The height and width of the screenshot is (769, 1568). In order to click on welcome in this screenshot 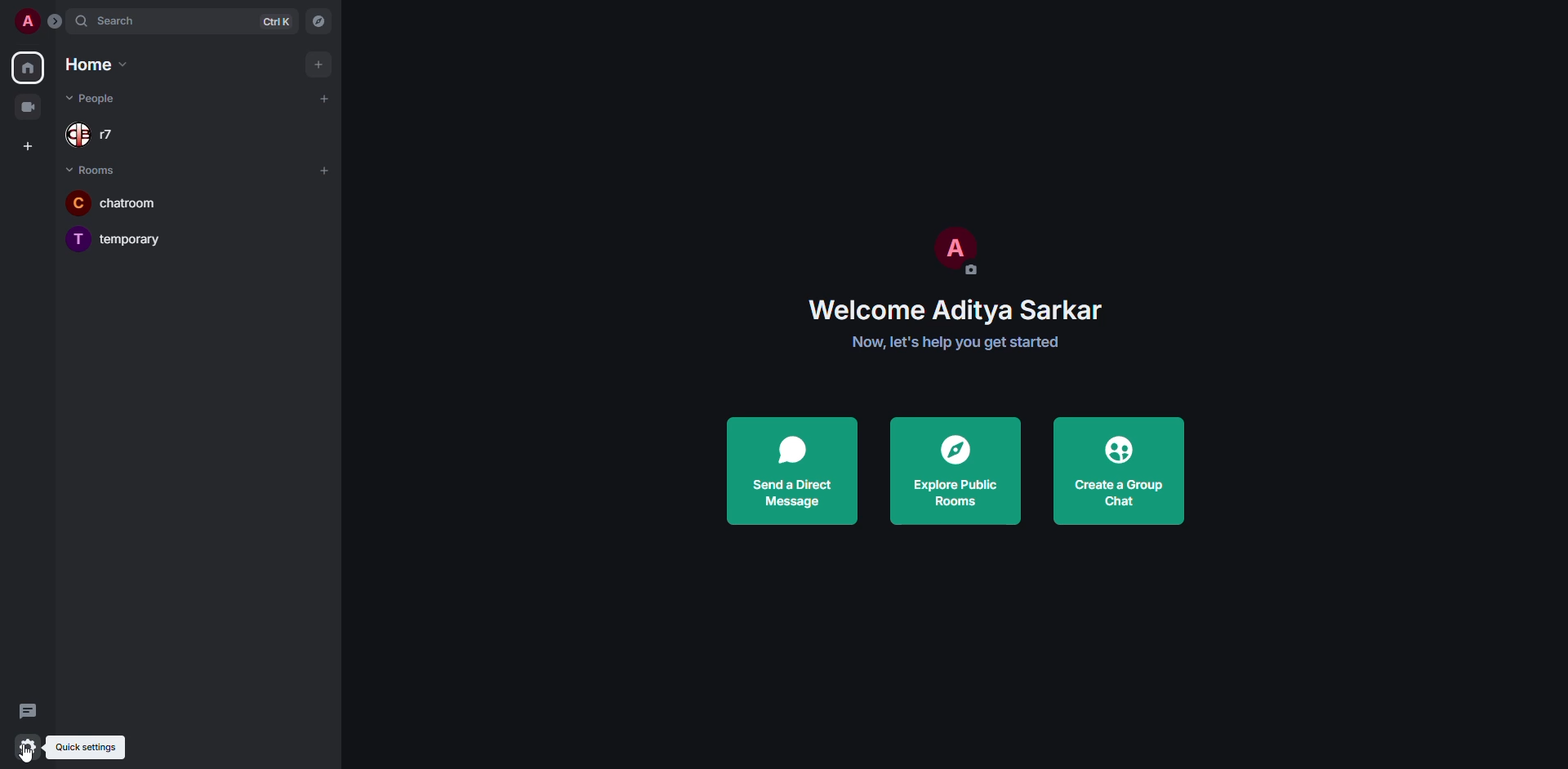, I will do `click(963, 309)`.